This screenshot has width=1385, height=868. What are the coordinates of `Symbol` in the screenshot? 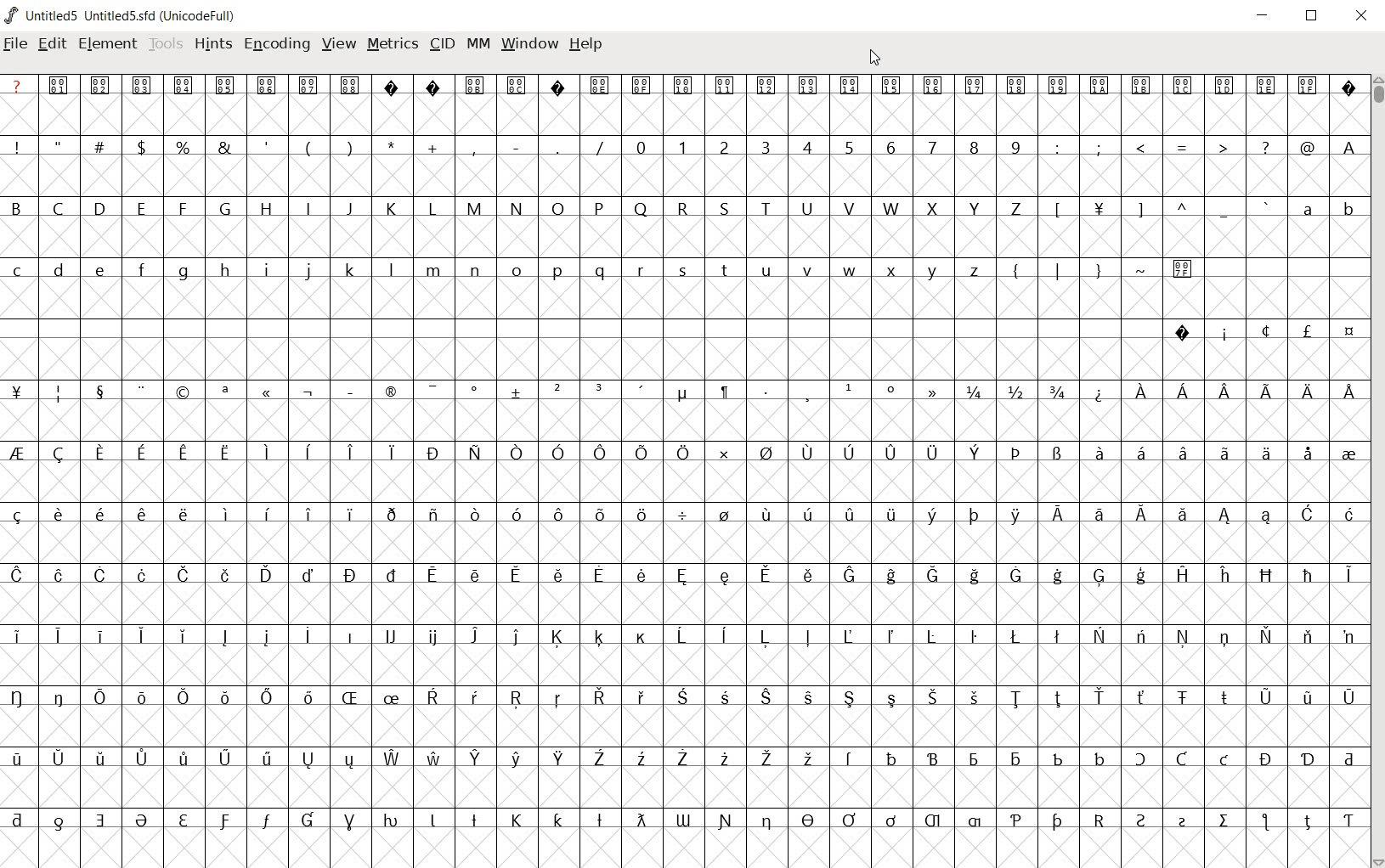 It's located at (1139, 516).